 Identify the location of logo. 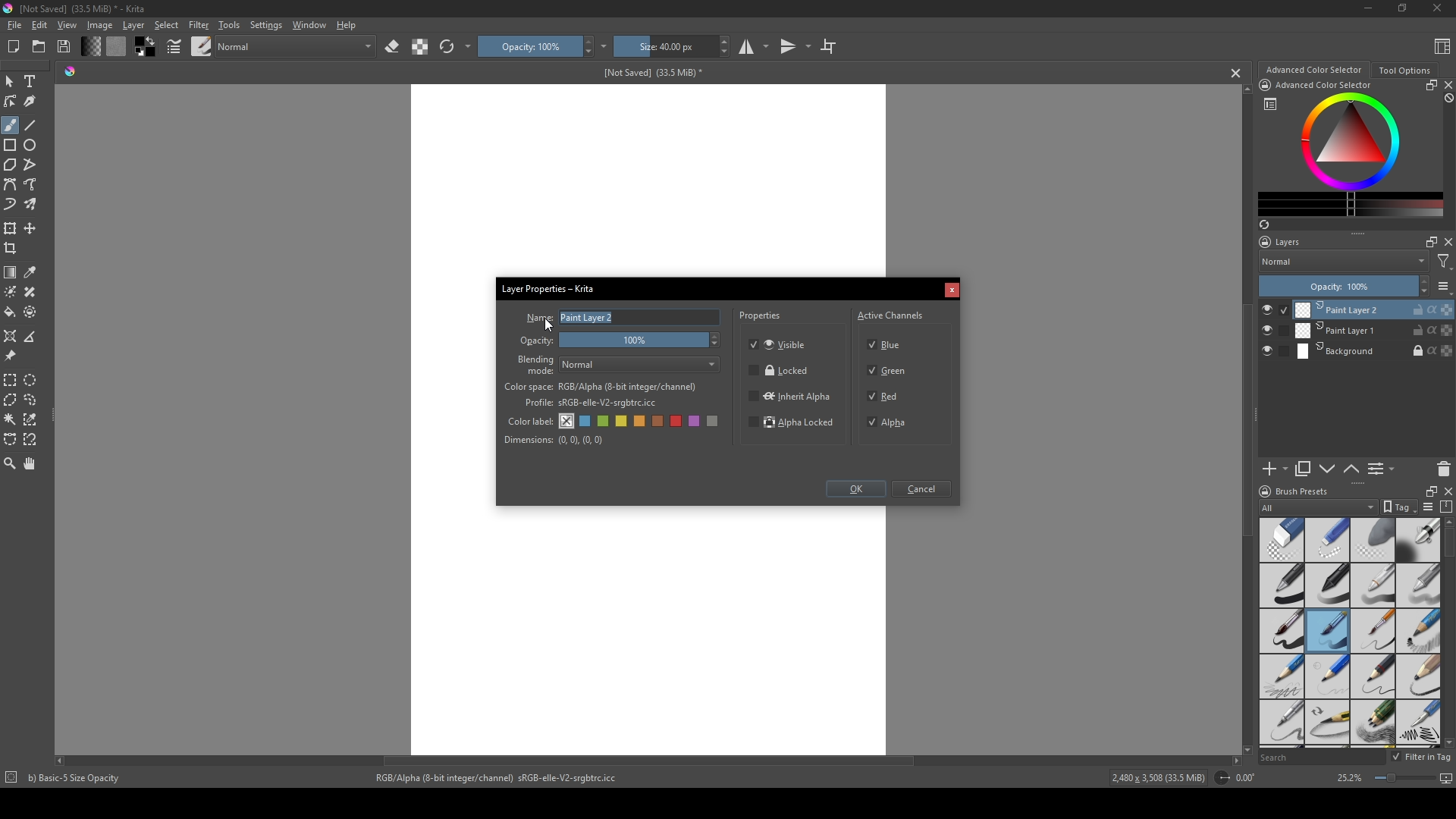
(9, 8).